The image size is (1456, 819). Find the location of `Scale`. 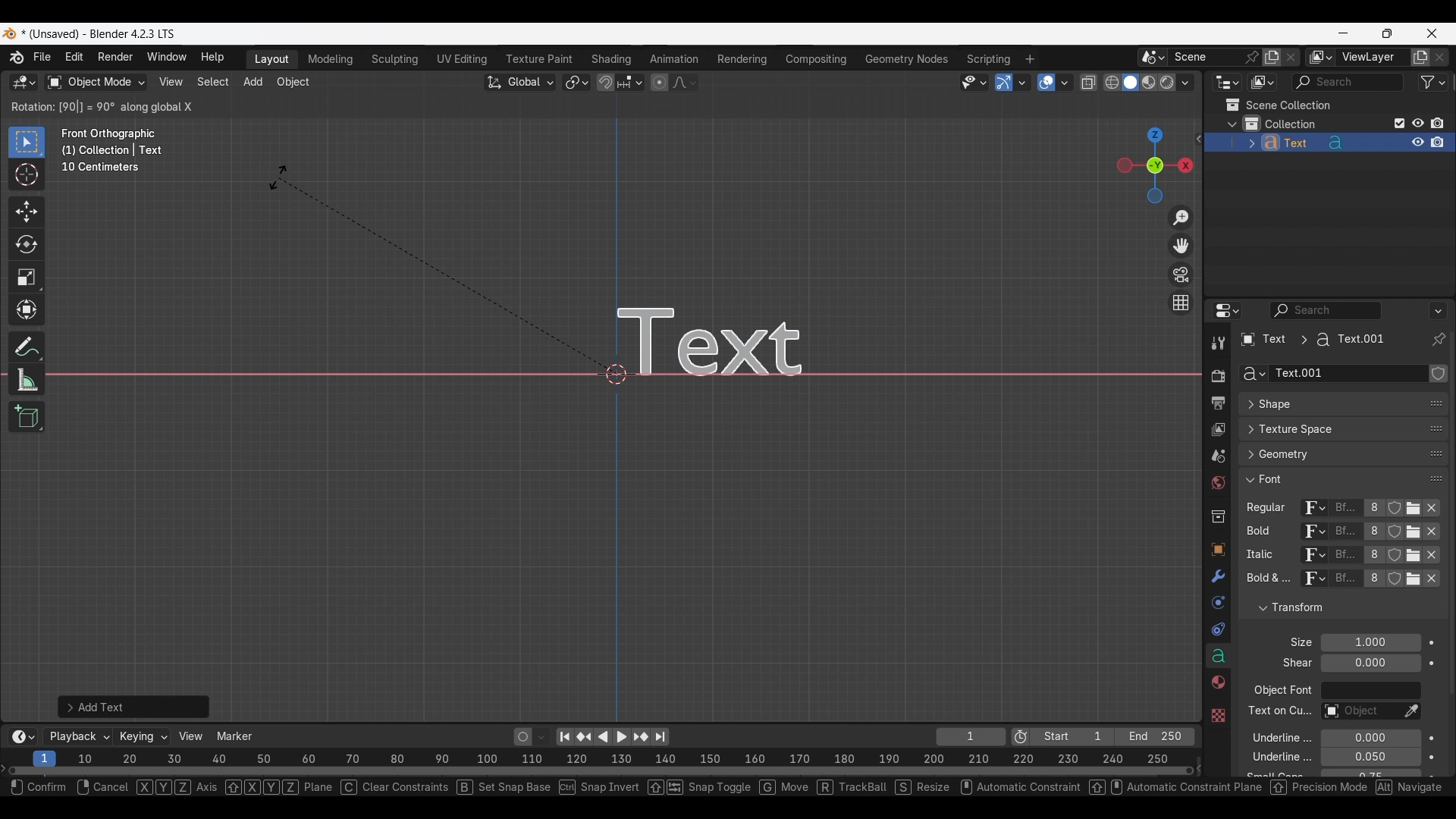

Scale is located at coordinates (27, 278).